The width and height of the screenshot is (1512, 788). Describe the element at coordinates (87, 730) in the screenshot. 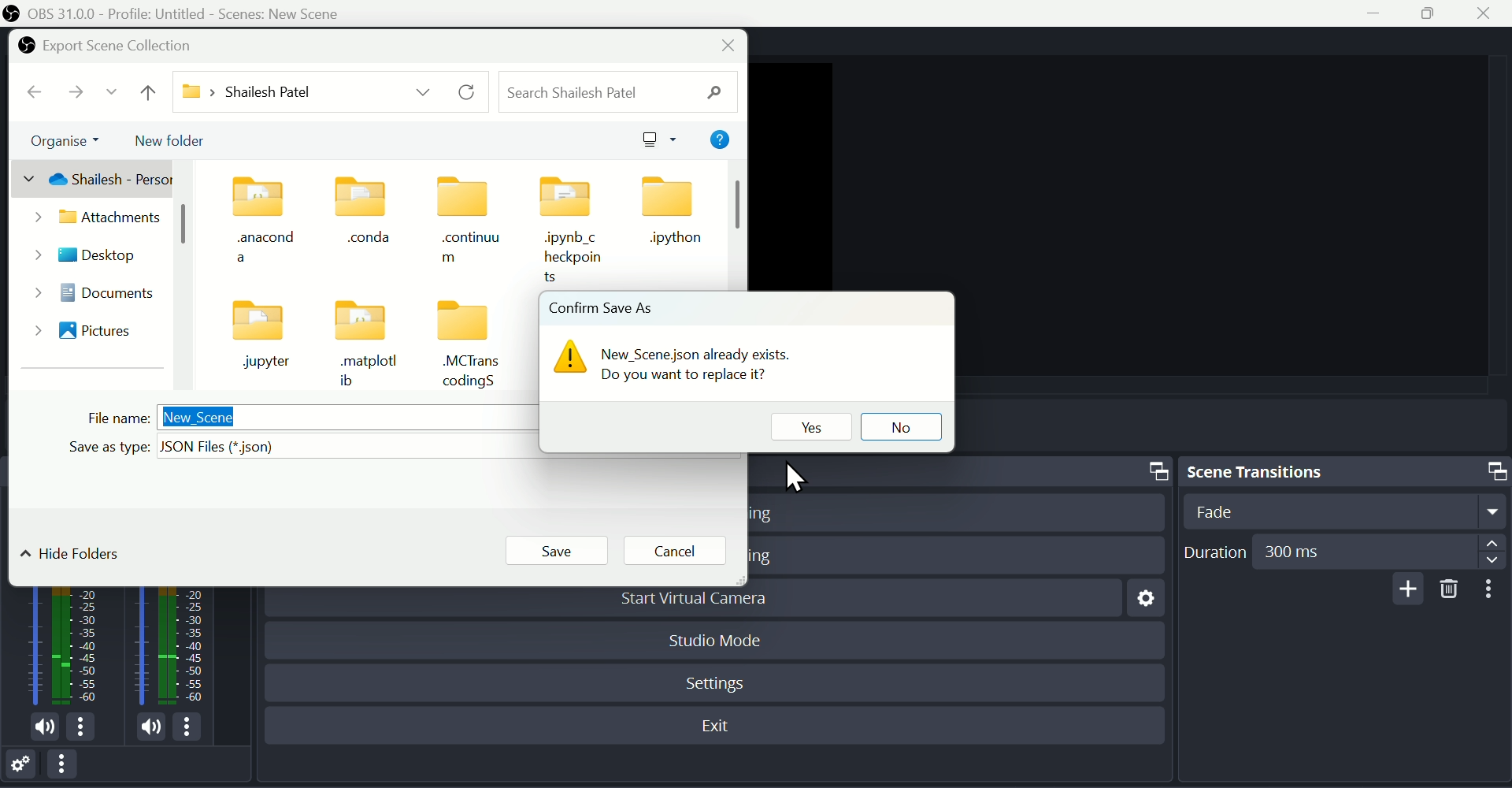

I see `more options` at that location.